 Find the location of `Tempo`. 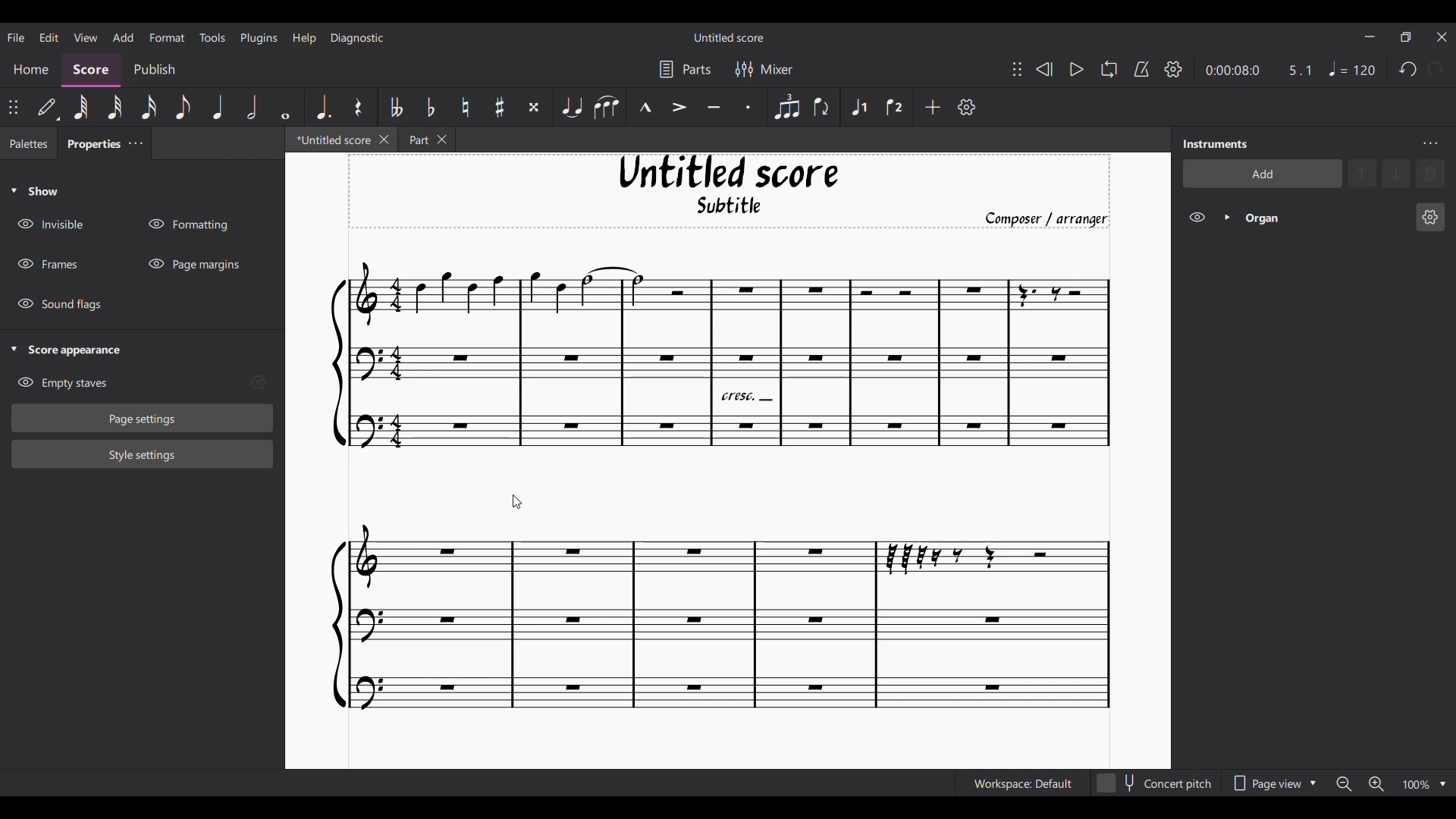

Tempo is located at coordinates (1352, 69).